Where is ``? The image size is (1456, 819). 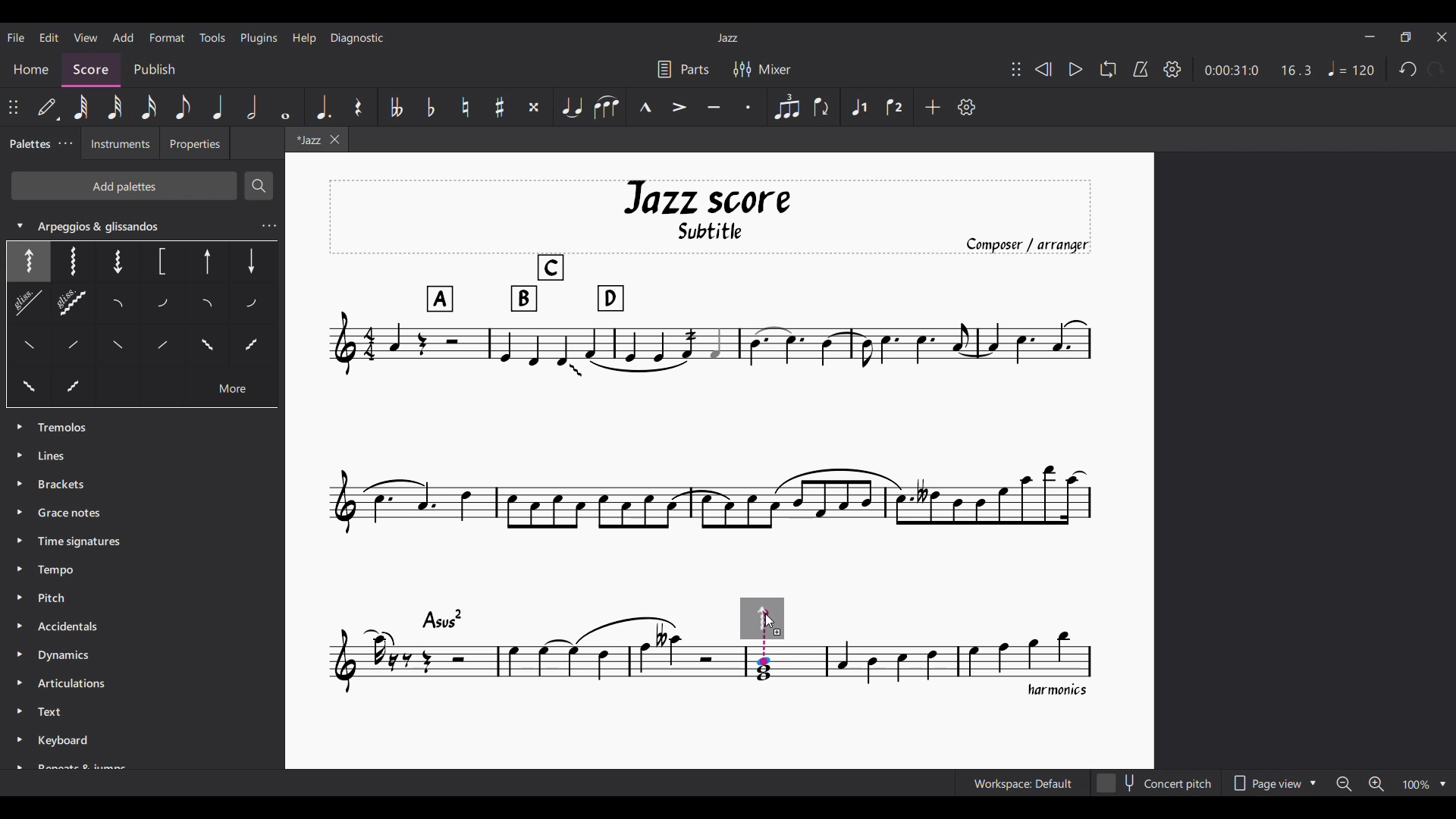
 is located at coordinates (120, 347).